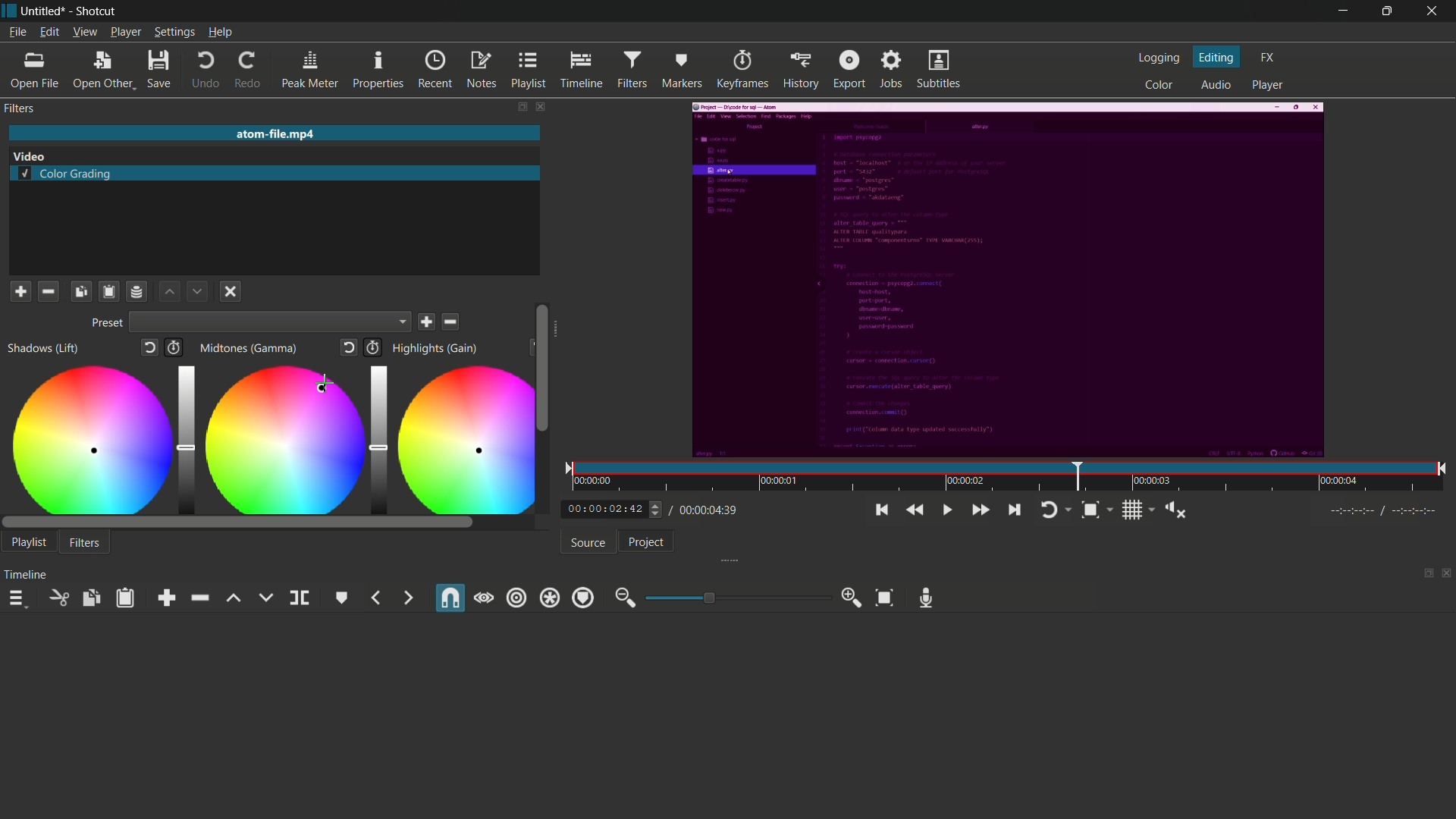 Image resolution: width=1456 pixels, height=819 pixels. What do you see at coordinates (1138, 510) in the screenshot?
I see `toggle grid` at bounding box center [1138, 510].